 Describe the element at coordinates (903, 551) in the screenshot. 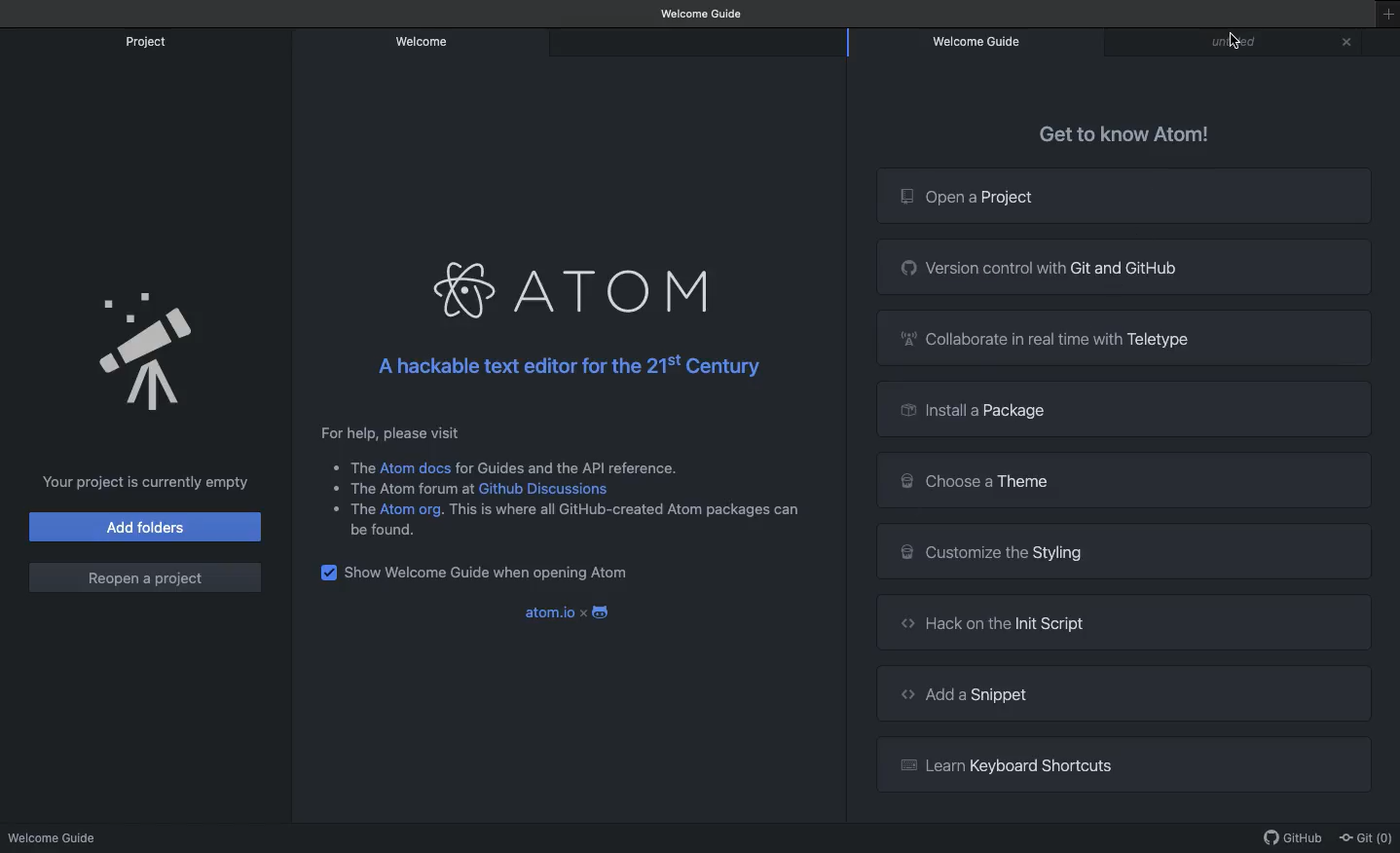

I see `Styling logo` at that location.